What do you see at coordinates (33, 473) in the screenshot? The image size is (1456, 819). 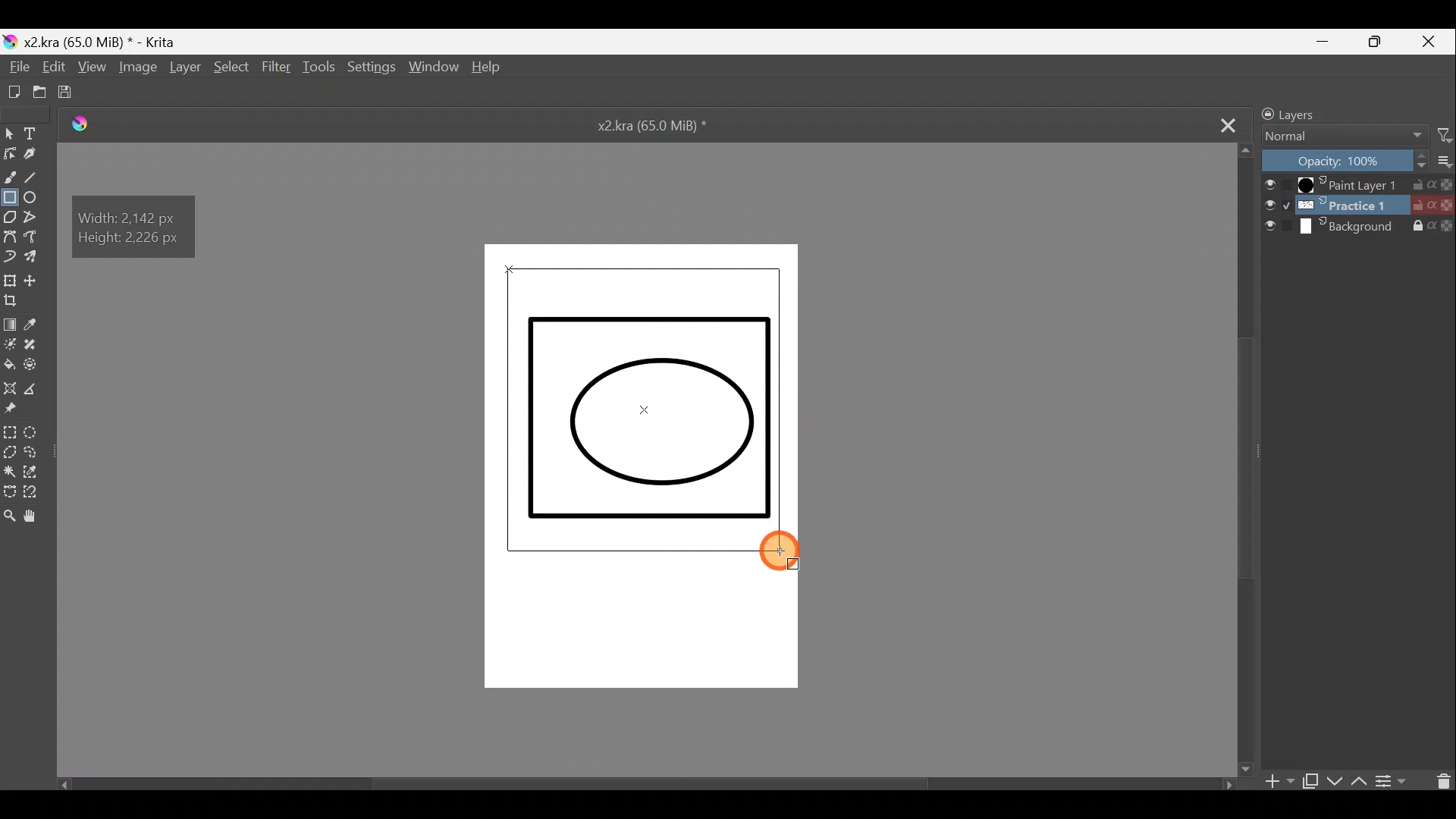 I see `Similar colour selection tool` at bounding box center [33, 473].